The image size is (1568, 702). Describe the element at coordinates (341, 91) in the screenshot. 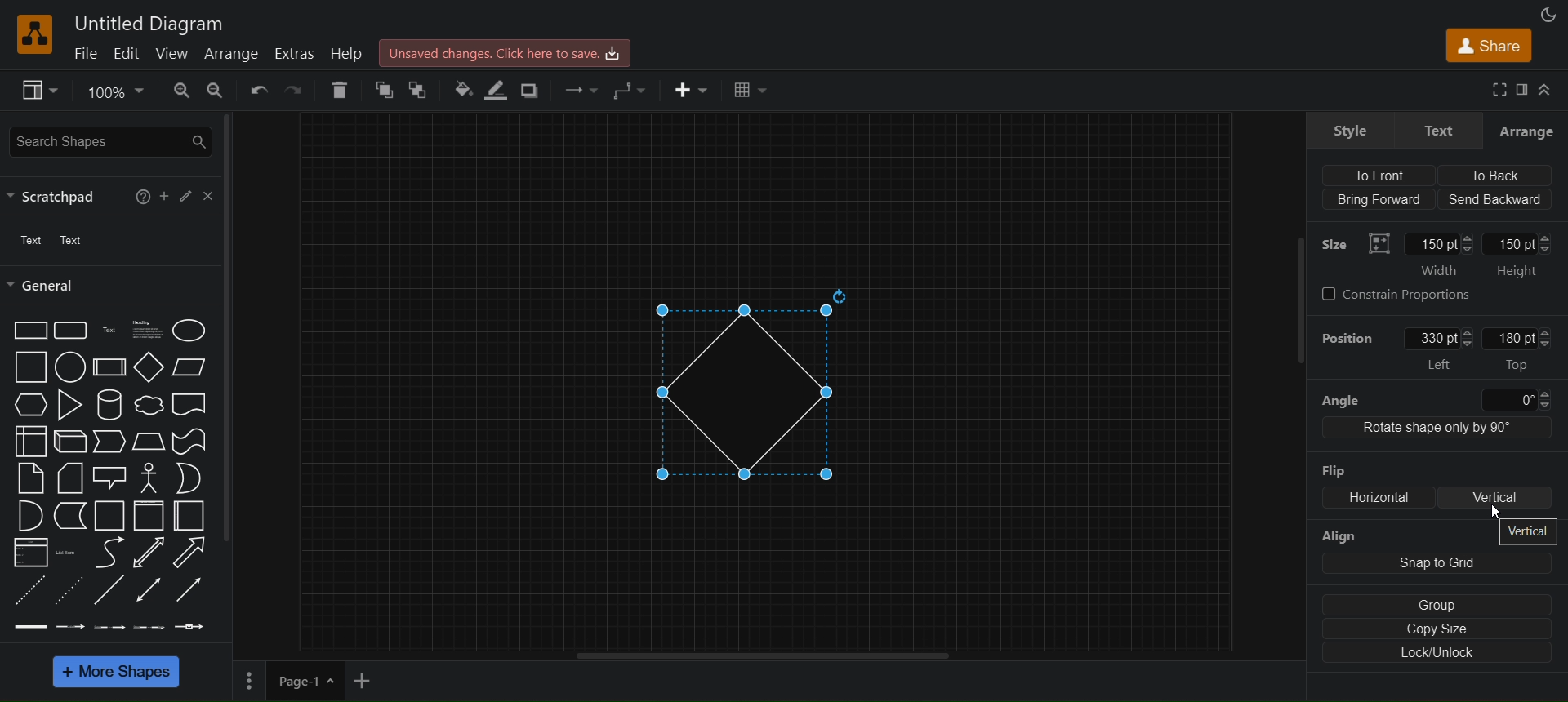

I see `delete` at that location.